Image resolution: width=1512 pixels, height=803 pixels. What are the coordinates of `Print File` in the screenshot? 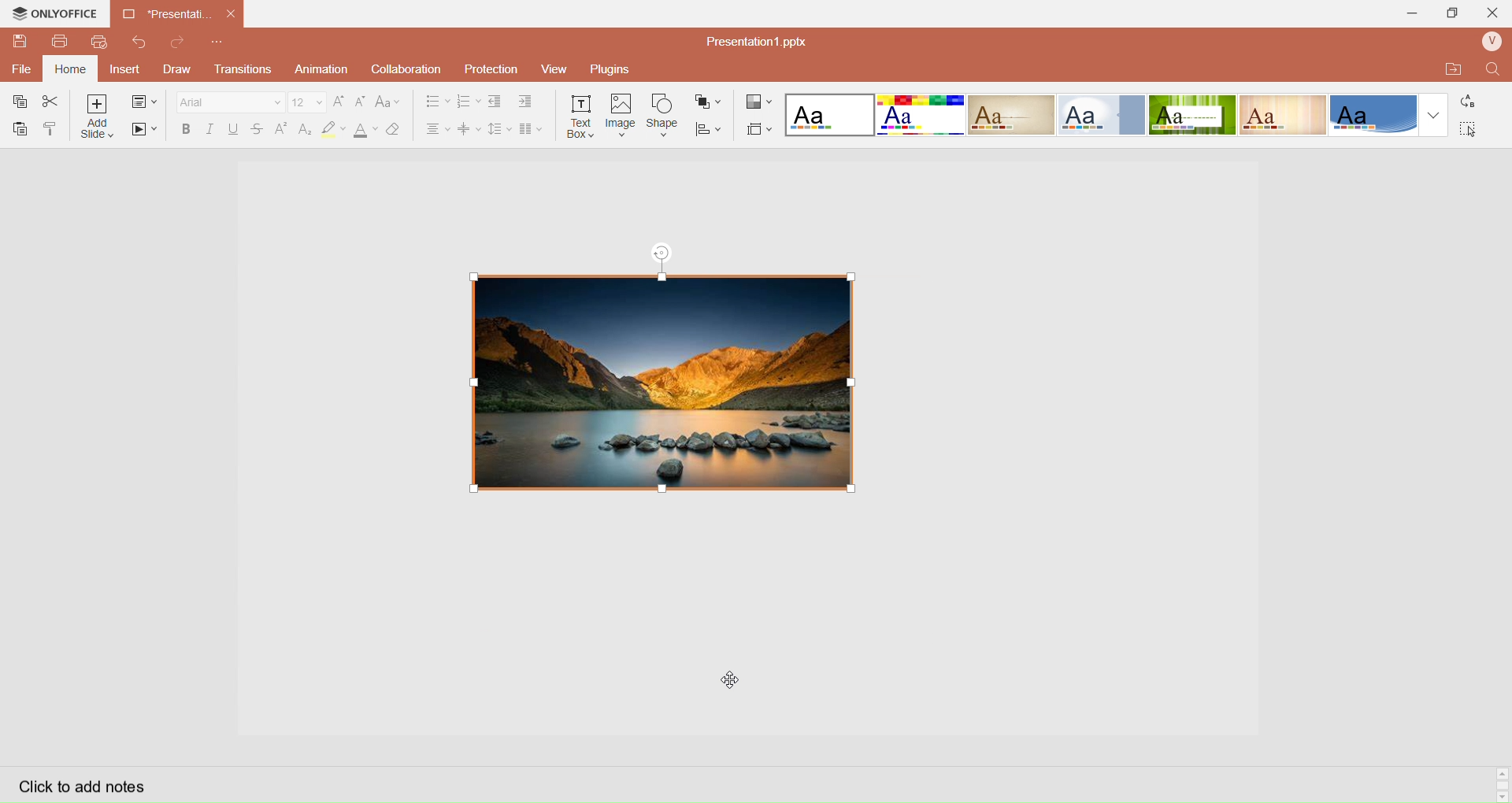 It's located at (60, 42).